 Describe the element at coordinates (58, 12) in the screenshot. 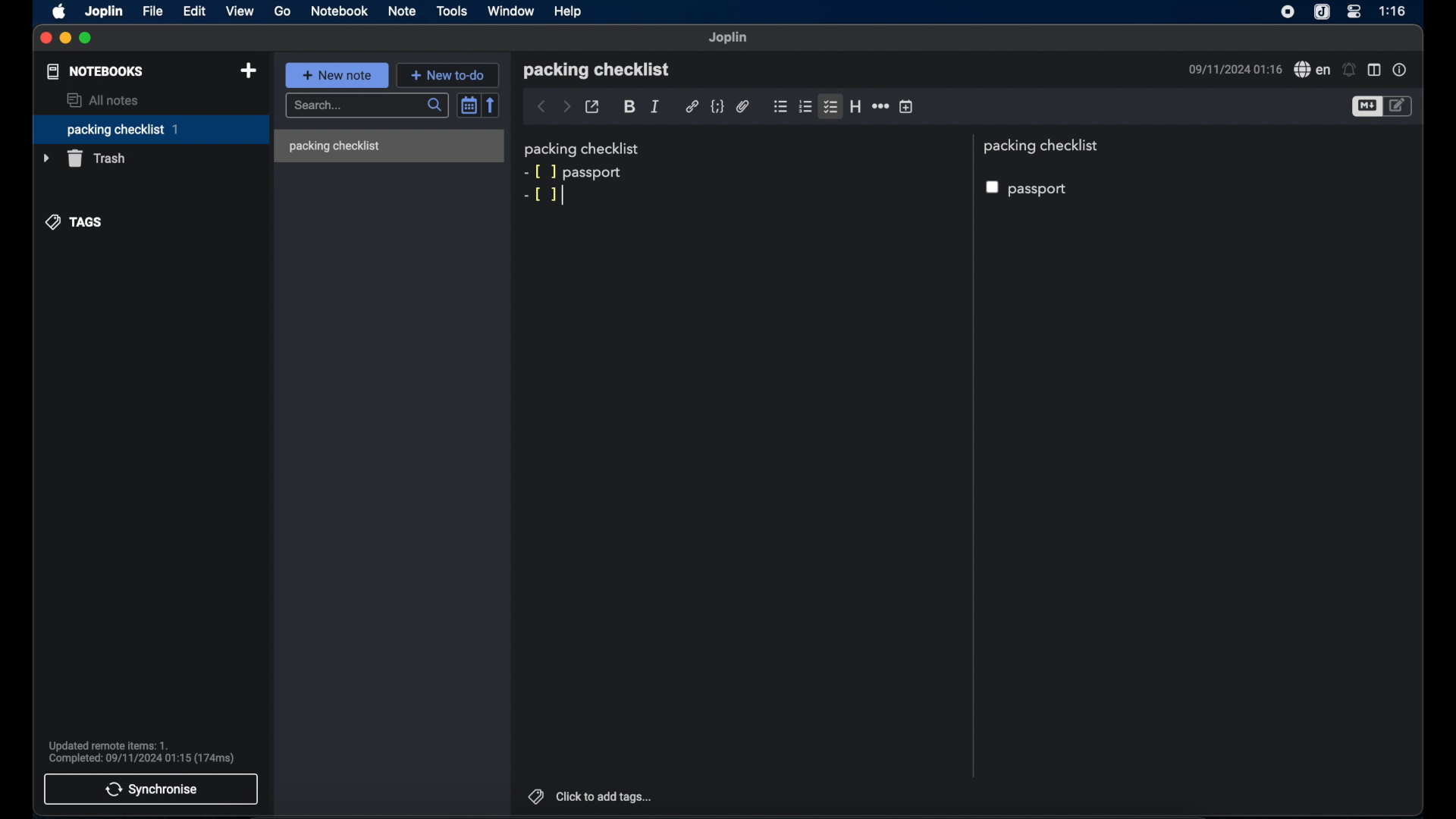

I see `apple icon` at that location.